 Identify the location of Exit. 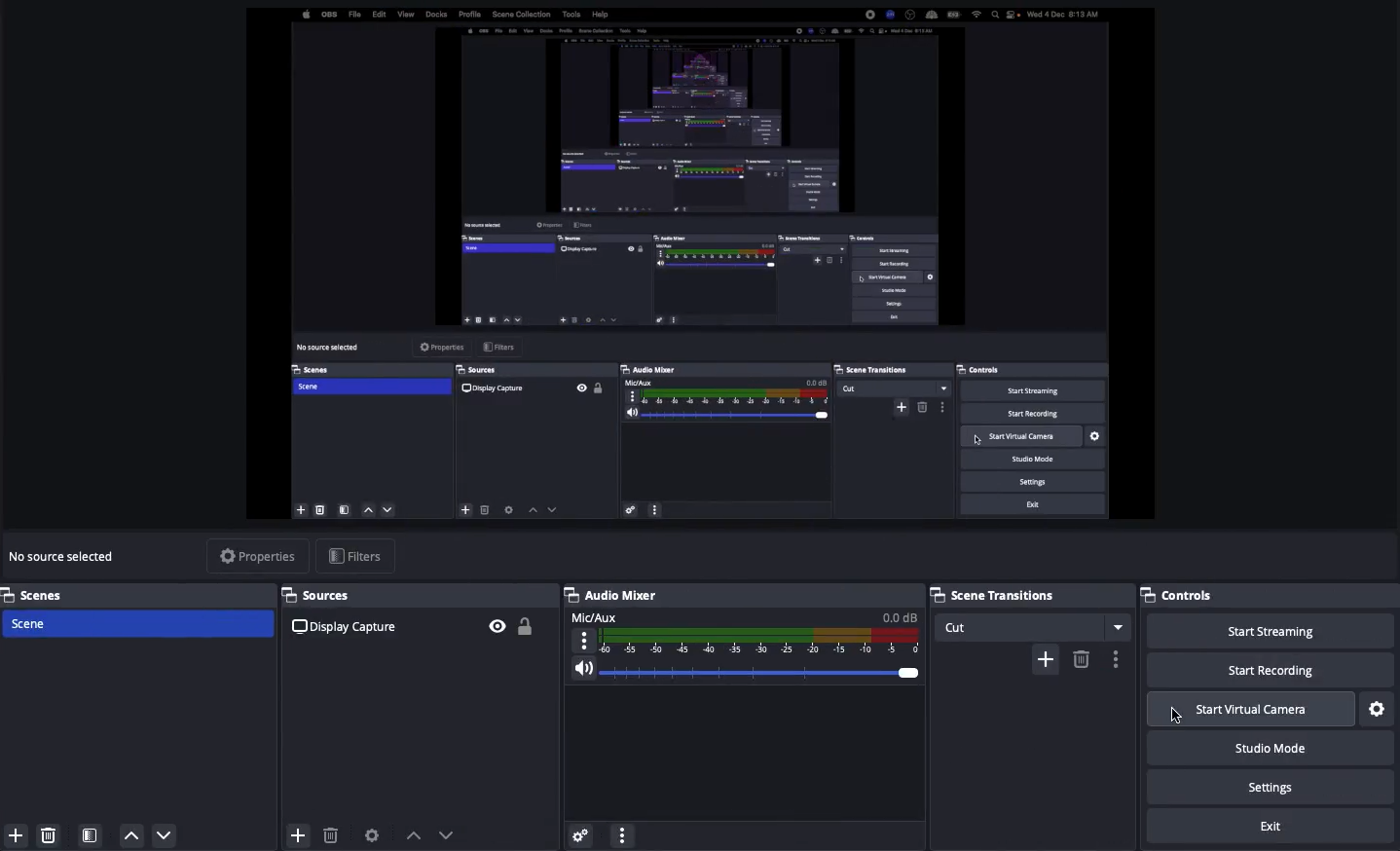
(1266, 825).